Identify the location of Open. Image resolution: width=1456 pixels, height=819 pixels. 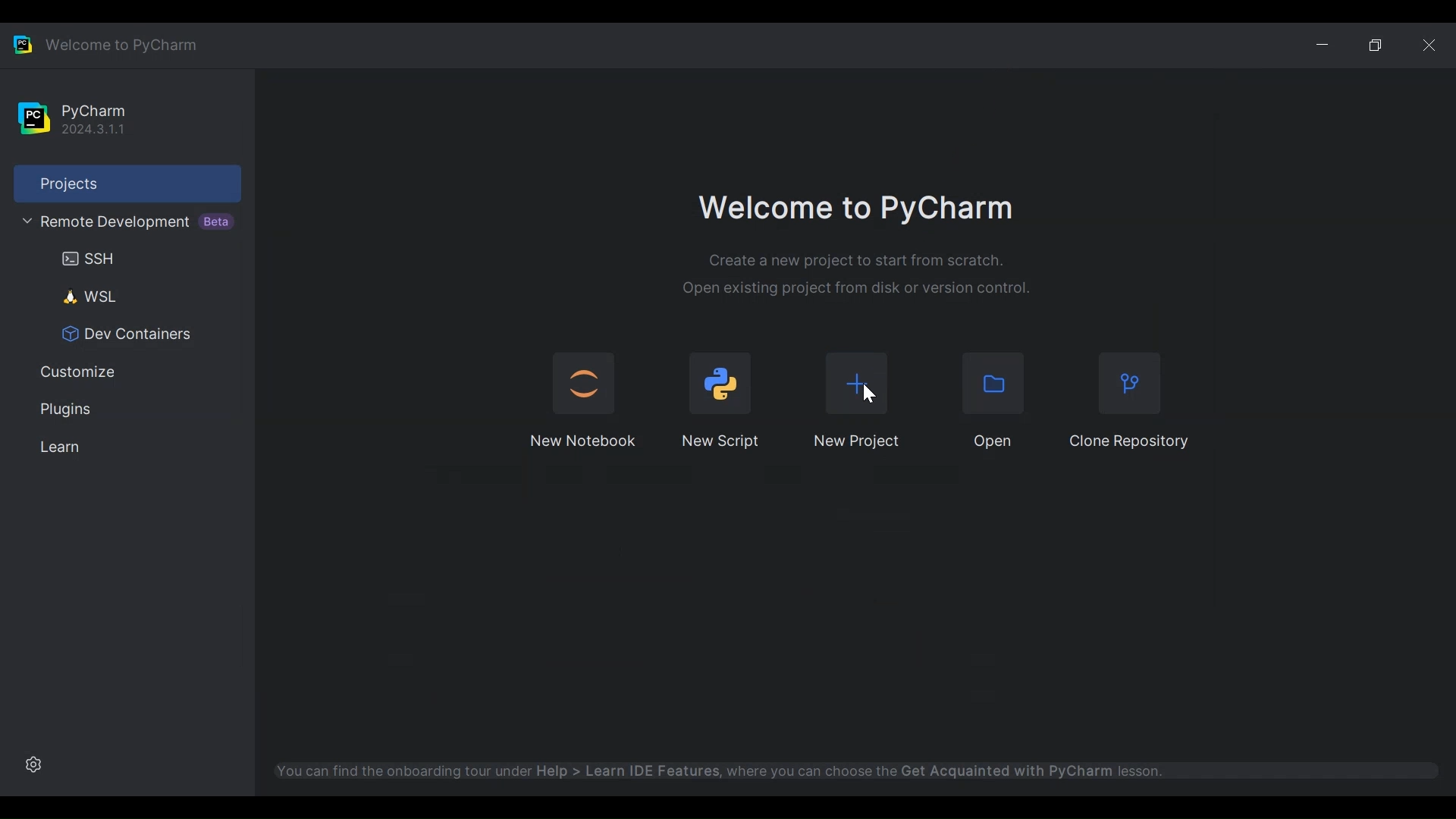
(995, 442).